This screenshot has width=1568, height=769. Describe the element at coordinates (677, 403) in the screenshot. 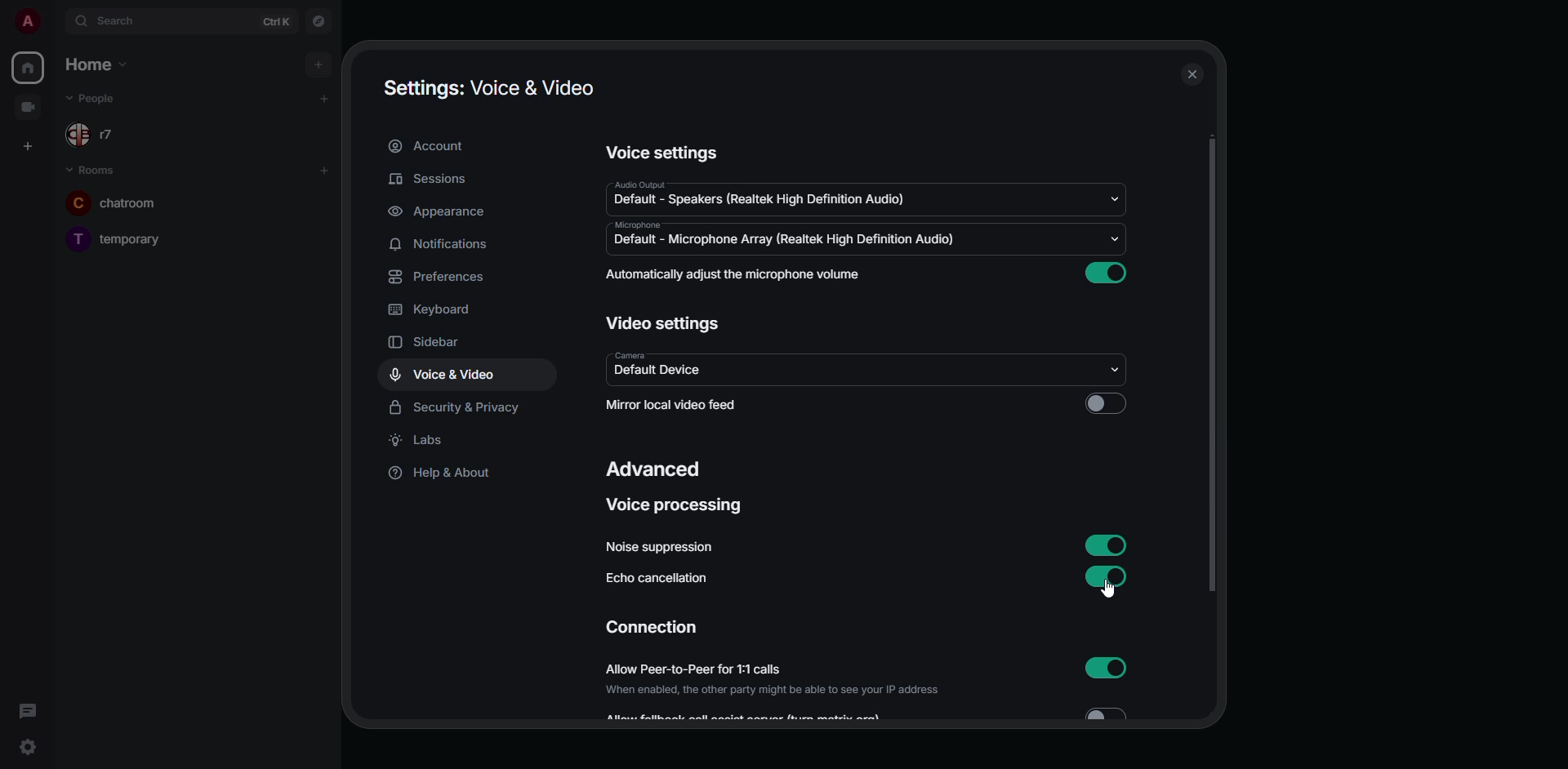

I see `mirror local video feed` at that location.